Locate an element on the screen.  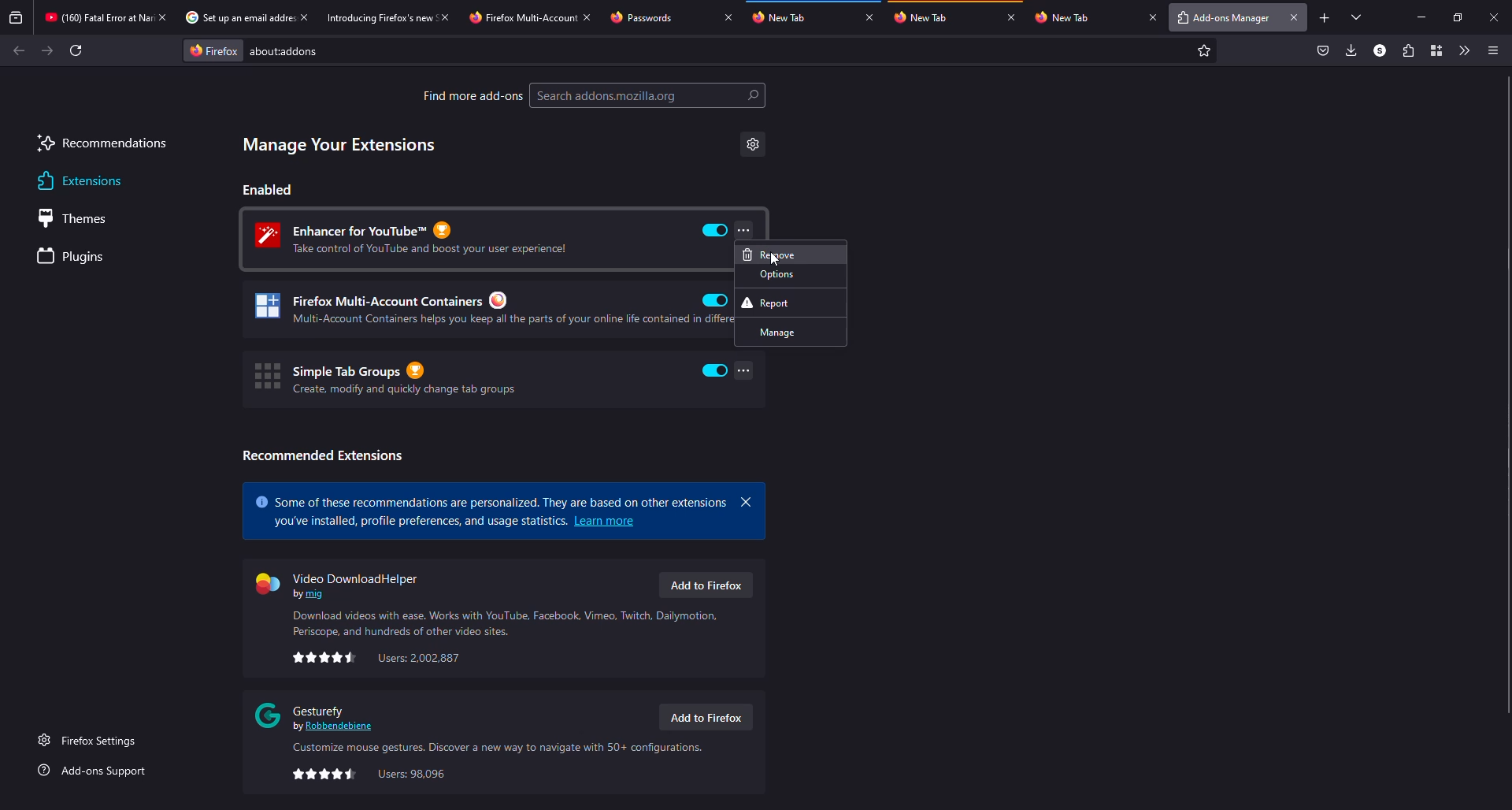
close is located at coordinates (444, 17).